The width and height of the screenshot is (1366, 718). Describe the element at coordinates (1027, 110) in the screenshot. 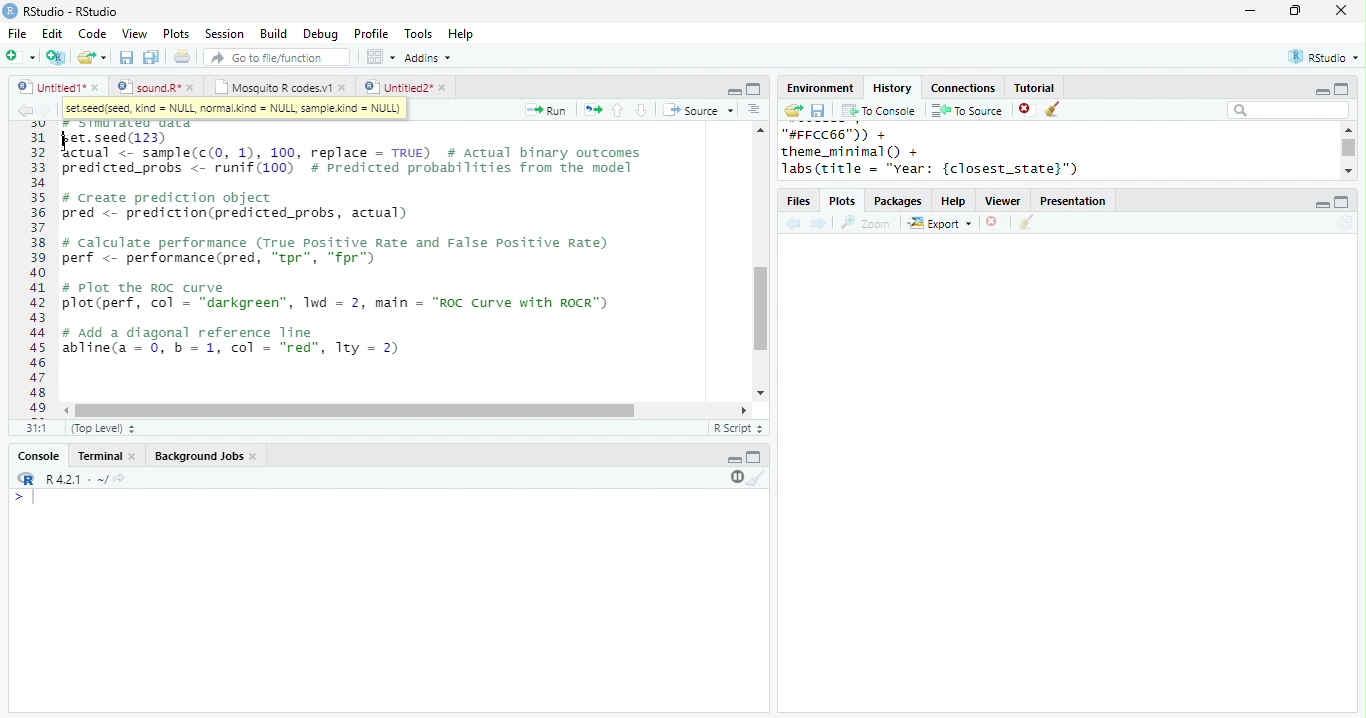

I see `close file` at that location.